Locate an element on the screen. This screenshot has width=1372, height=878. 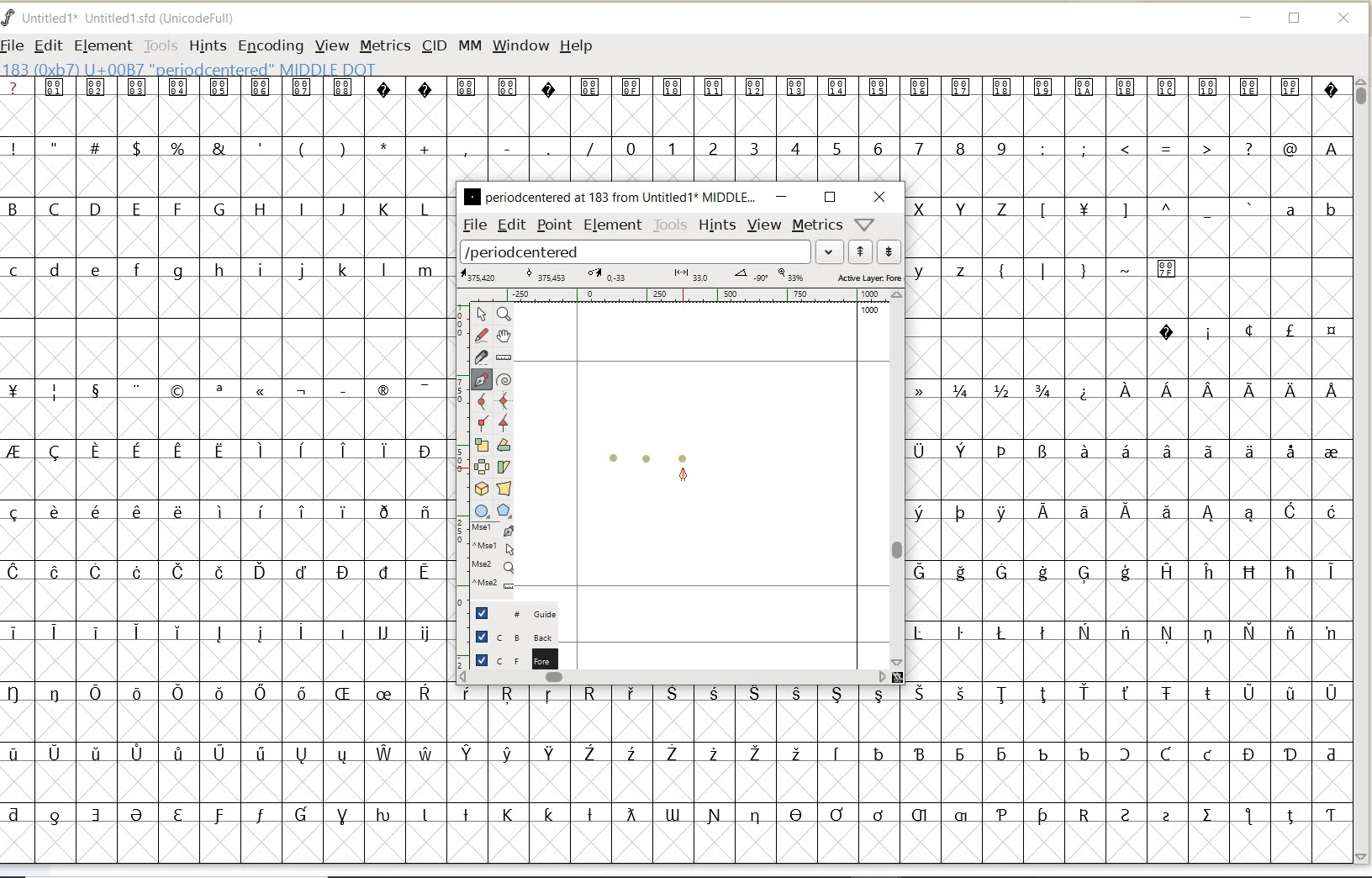
foreground is located at coordinates (510, 658).